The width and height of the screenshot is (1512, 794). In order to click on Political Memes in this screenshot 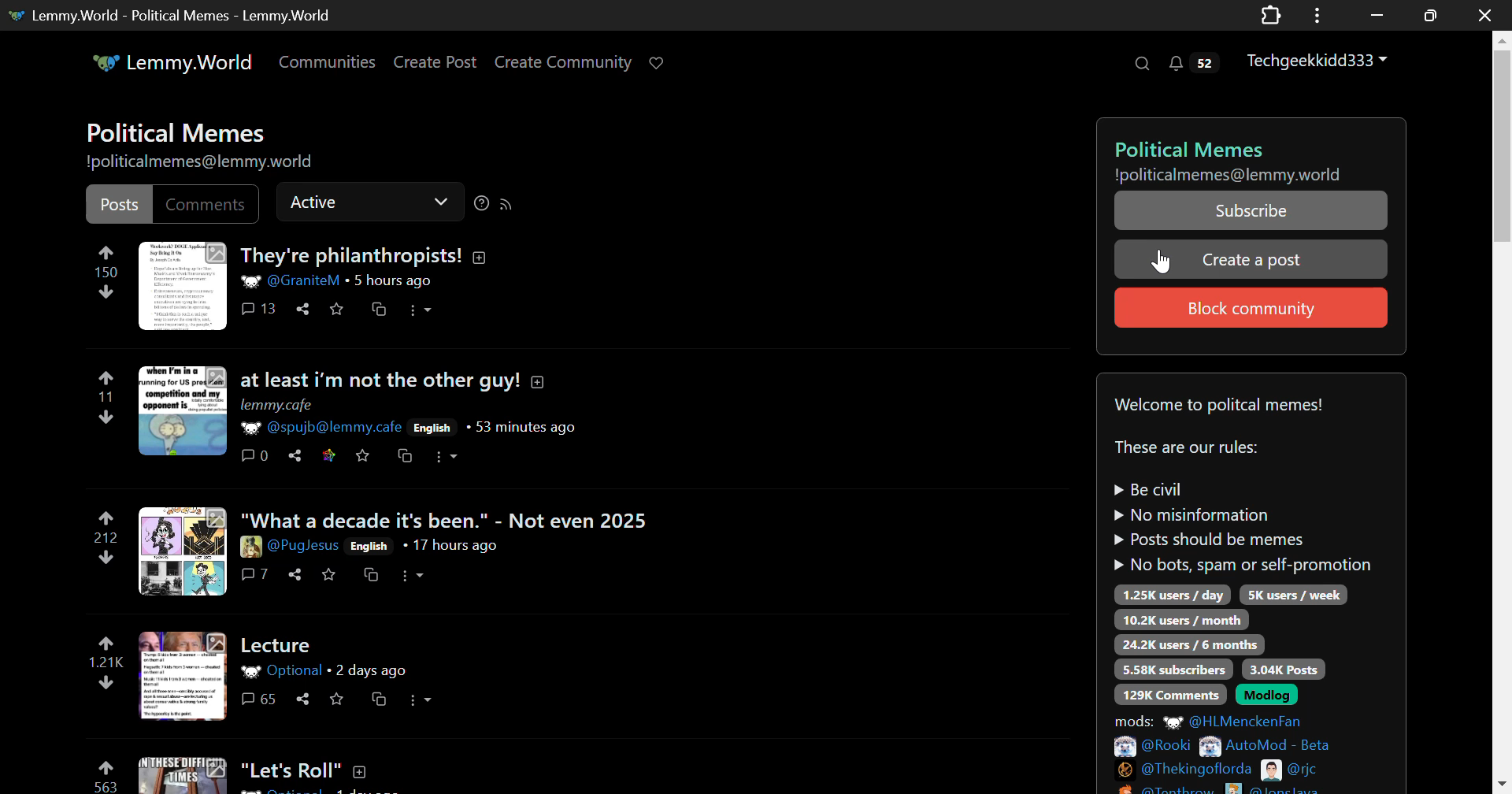, I will do `click(1247, 147)`.